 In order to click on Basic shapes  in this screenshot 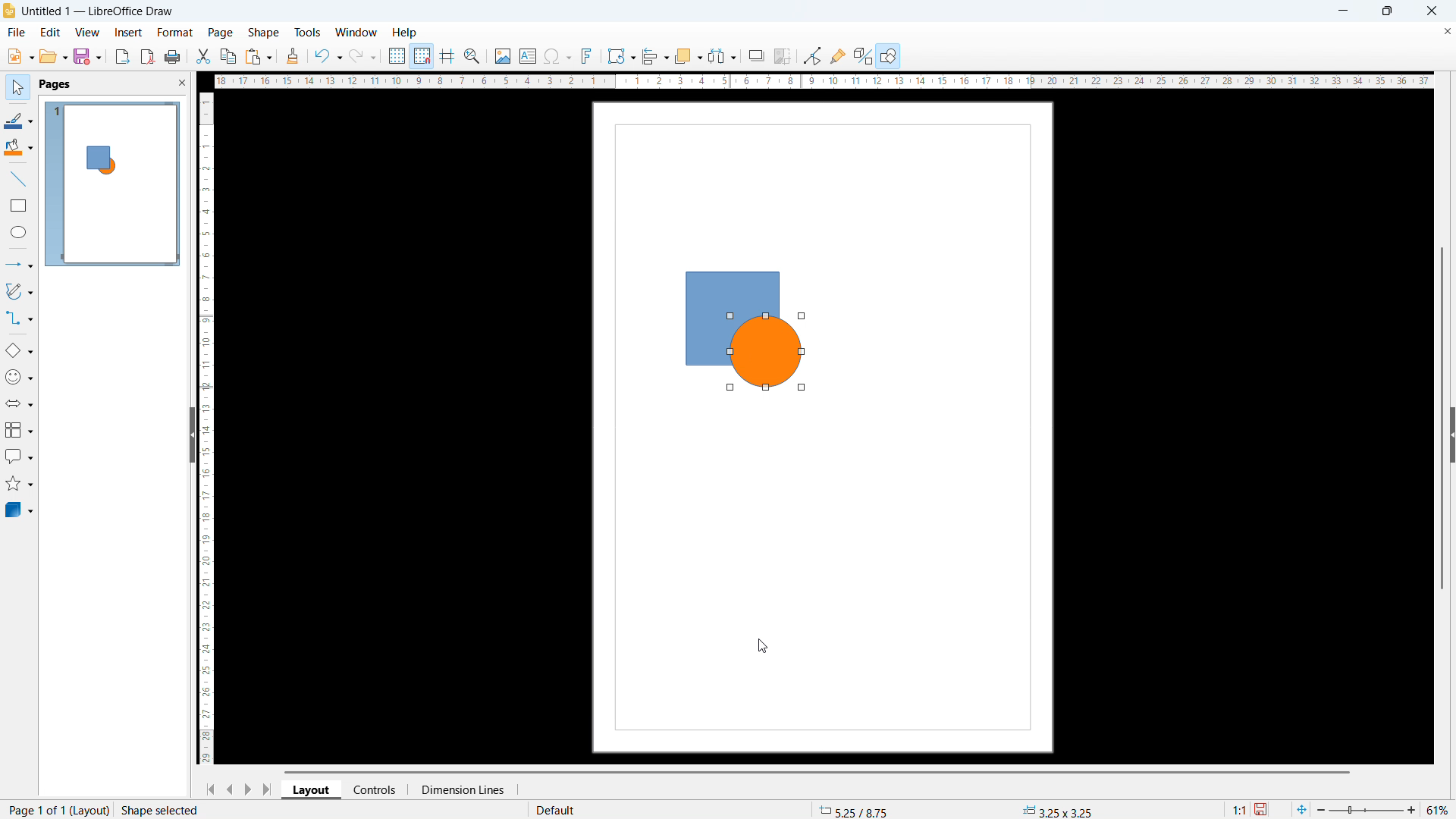, I will do `click(20, 349)`.